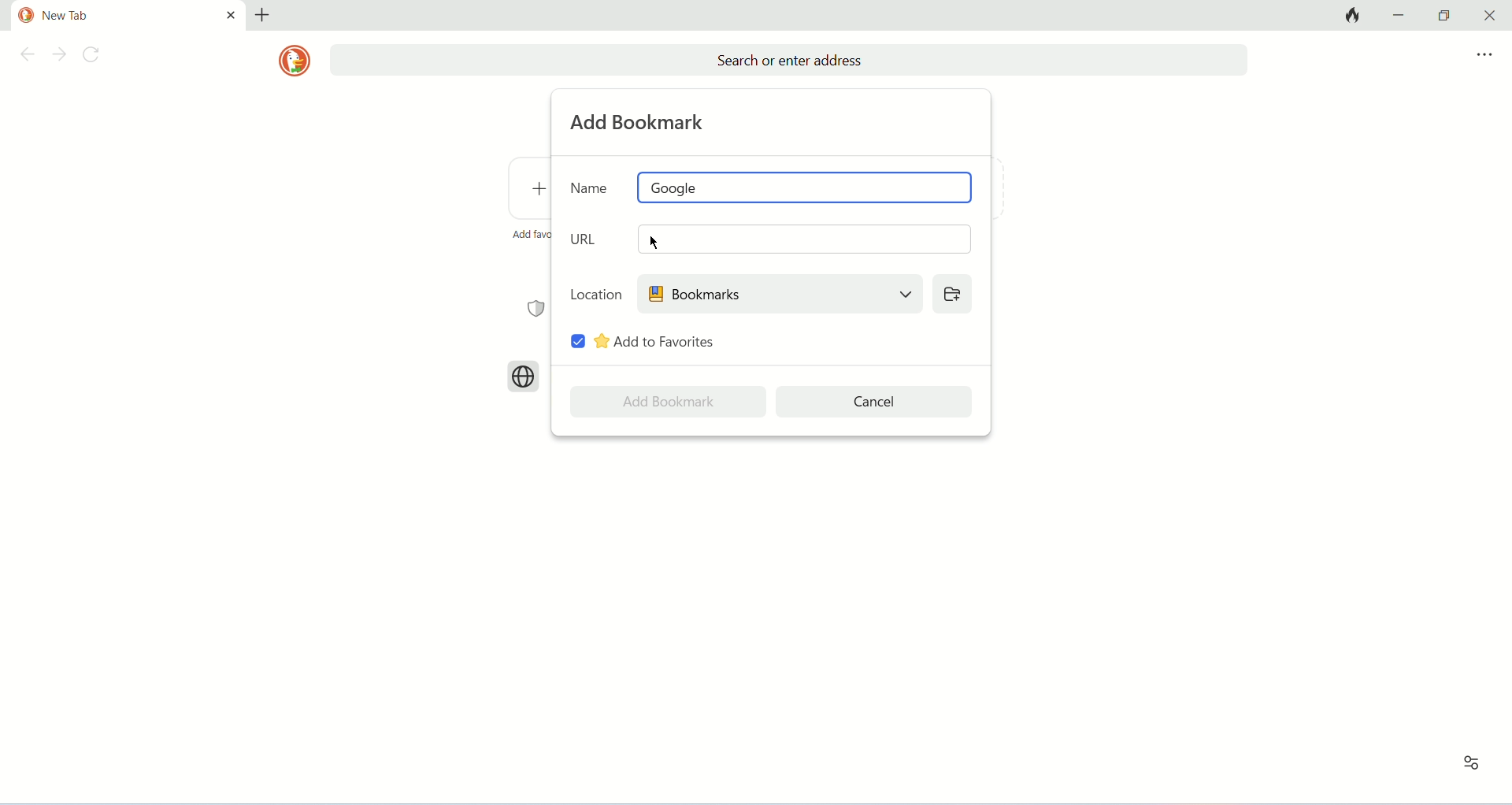 The width and height of the screenshot is (1512, 805). Describe the element at coordinates (668, 402) in the screenshot. I see `add bookmark` at that location.